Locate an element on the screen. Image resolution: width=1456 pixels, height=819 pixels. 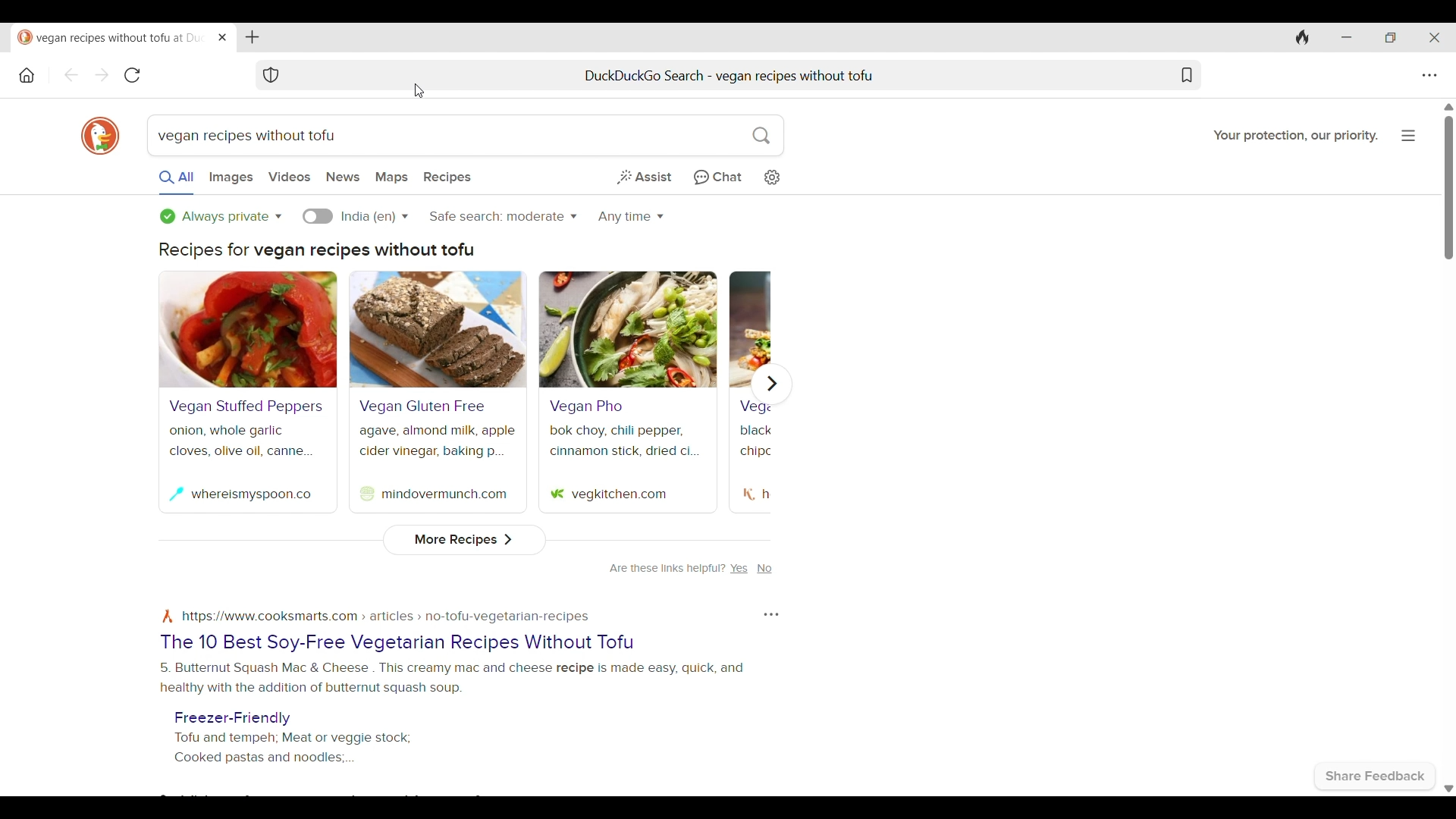
Generate a short answer from the web is located at coordinates (644, 177).